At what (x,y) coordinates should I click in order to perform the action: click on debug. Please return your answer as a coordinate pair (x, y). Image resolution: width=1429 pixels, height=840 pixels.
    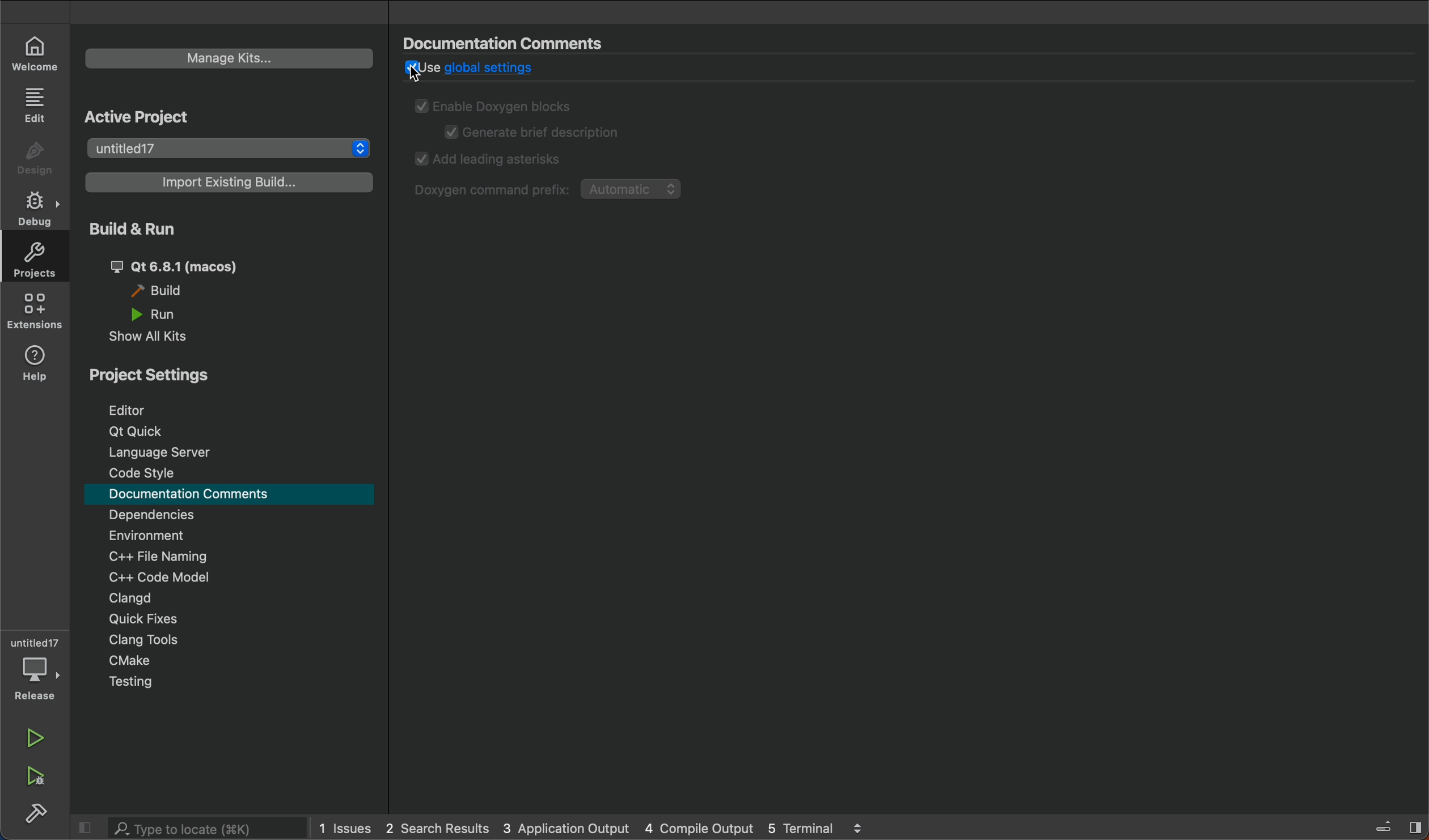
    Looking at the image, I should click on (34, 212).